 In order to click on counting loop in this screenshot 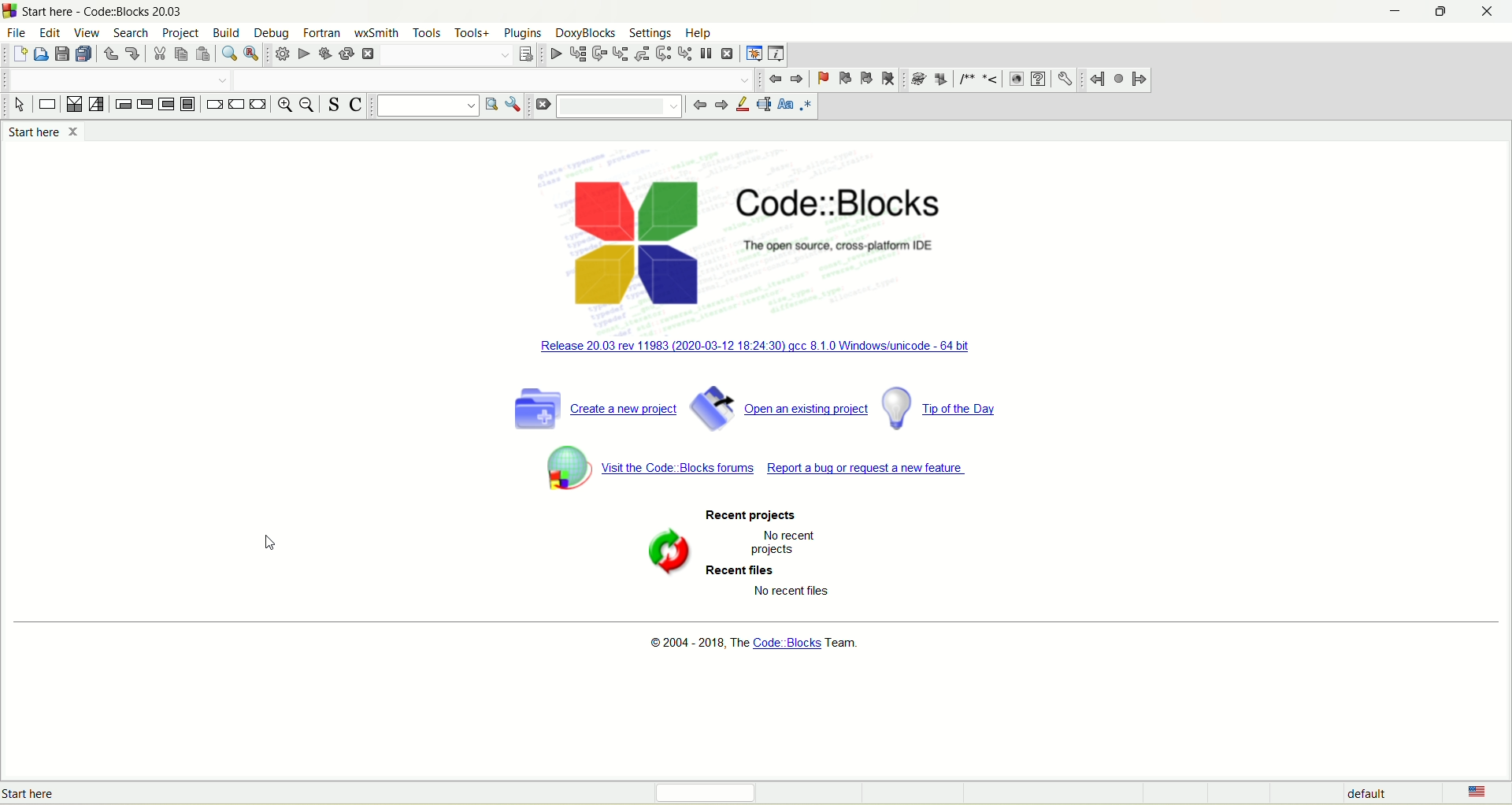, I will do `click(168, 104)`.